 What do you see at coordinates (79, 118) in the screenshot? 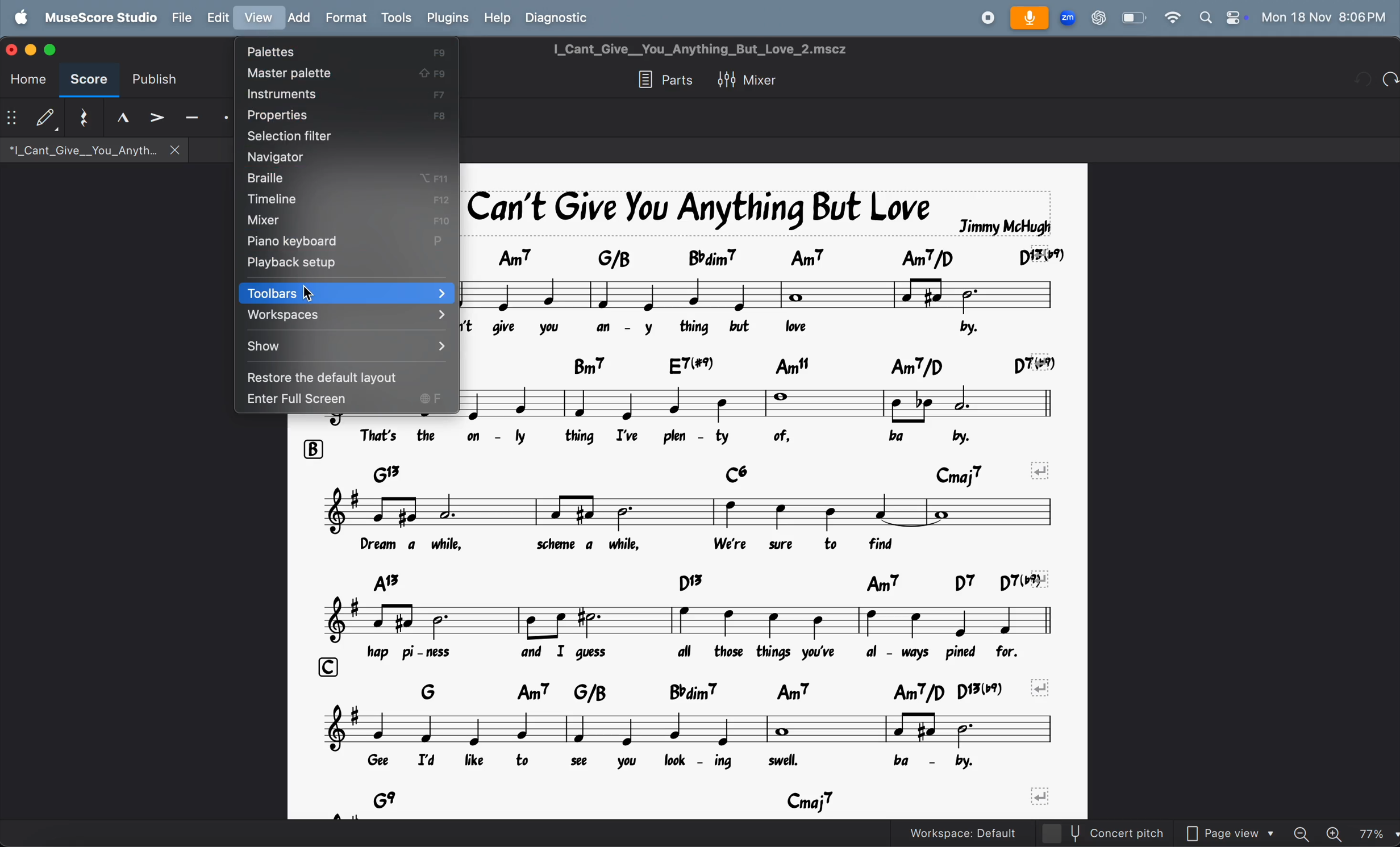
I see `reset` at bounding box center [79, 118].